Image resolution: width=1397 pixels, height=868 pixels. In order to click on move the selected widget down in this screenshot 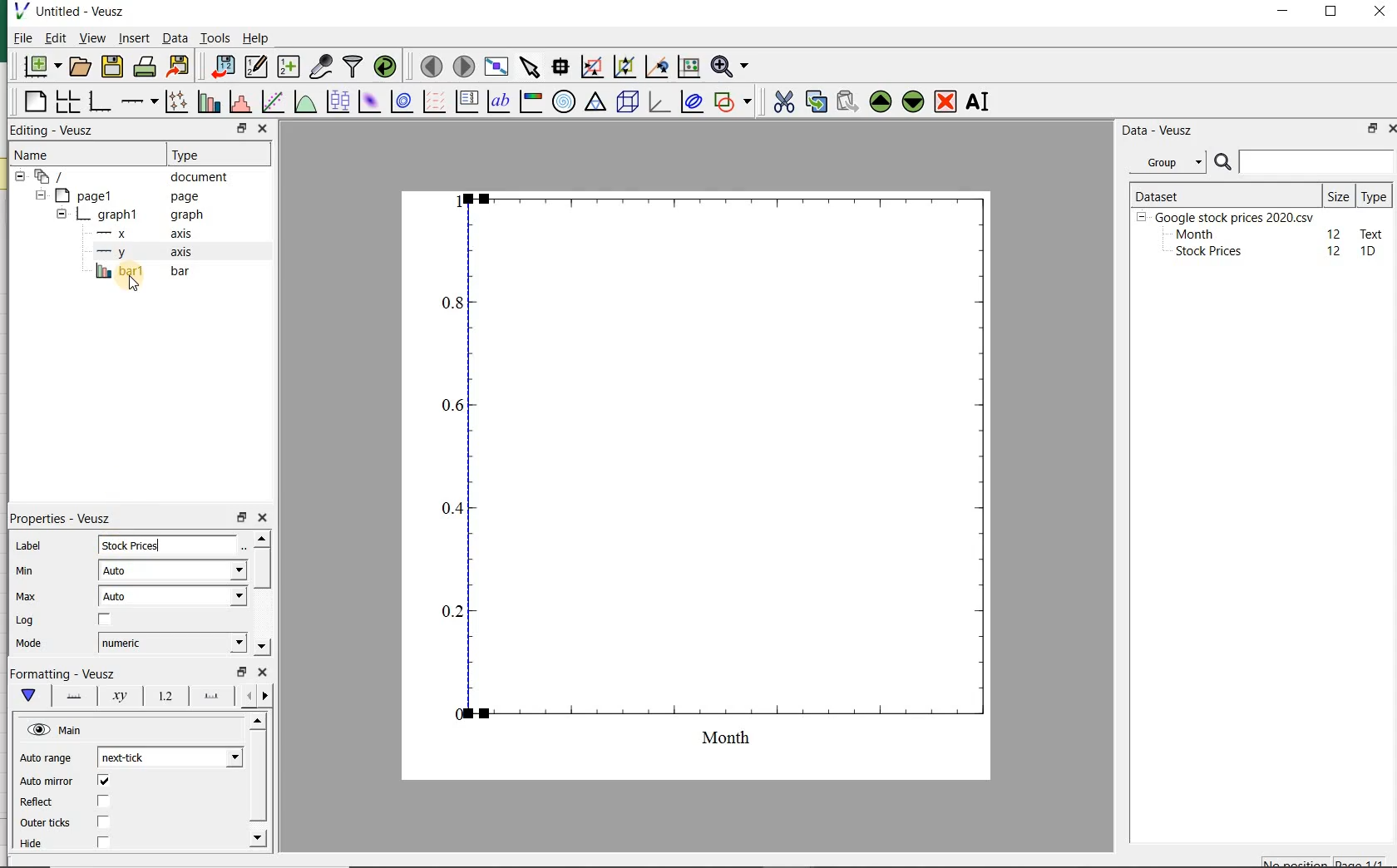, I will do `click(913, 101)`.